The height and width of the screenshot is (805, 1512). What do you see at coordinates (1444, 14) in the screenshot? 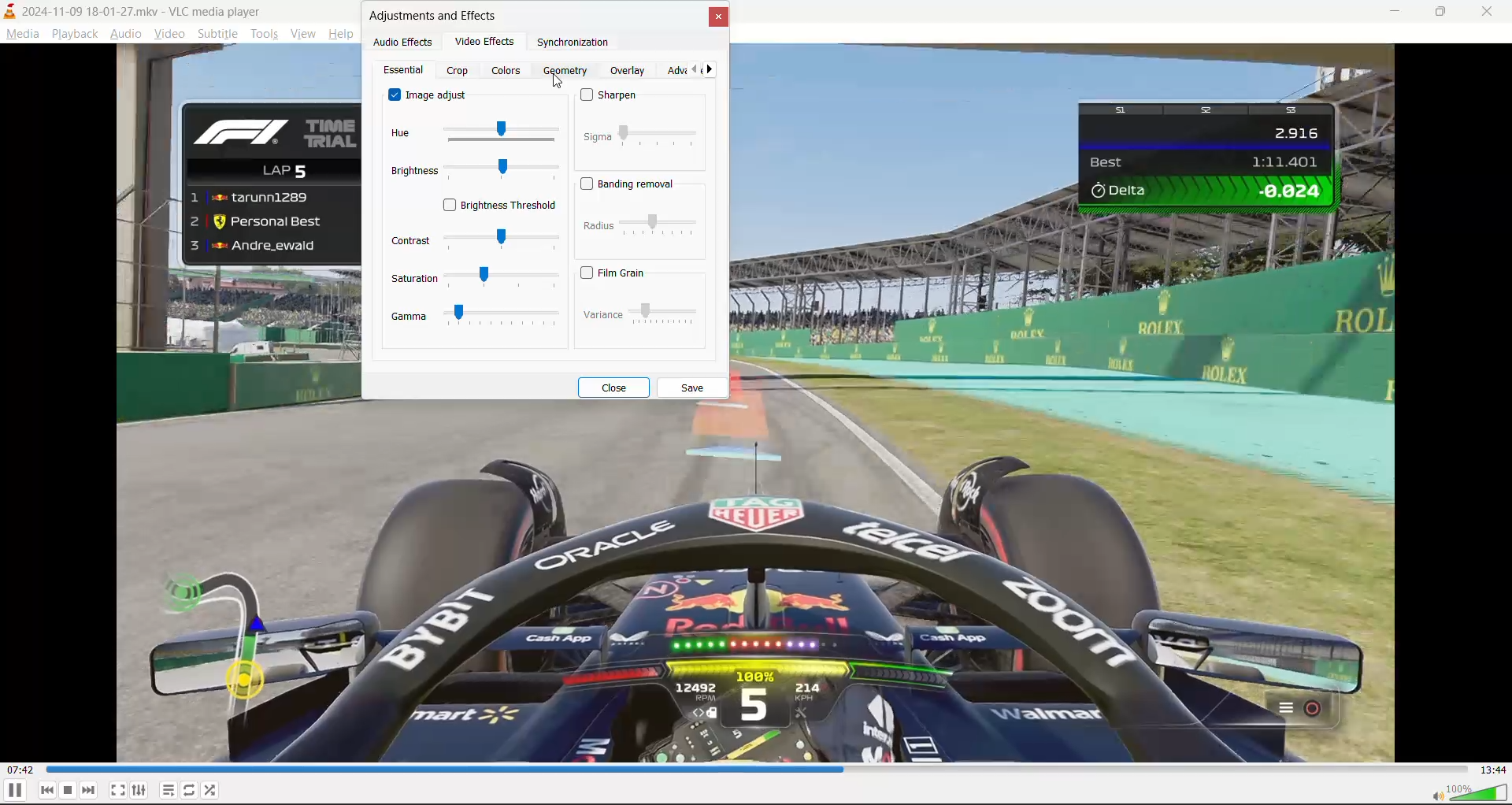
I see `maximize` at bounding box center [1444, 14].